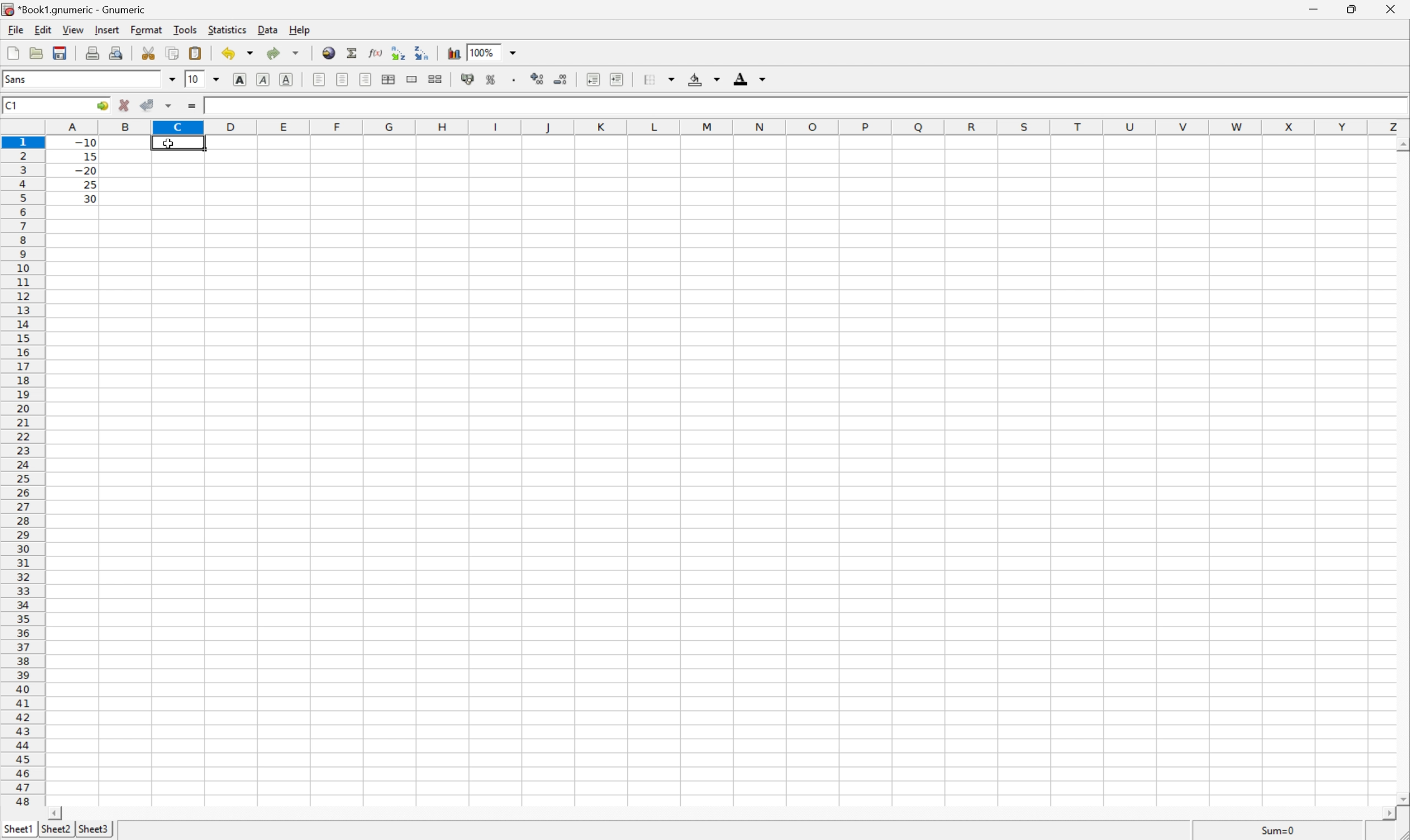  Describe the element at coordinates (1383, 814) in the screenshot. I see `Scroll right` at that location.